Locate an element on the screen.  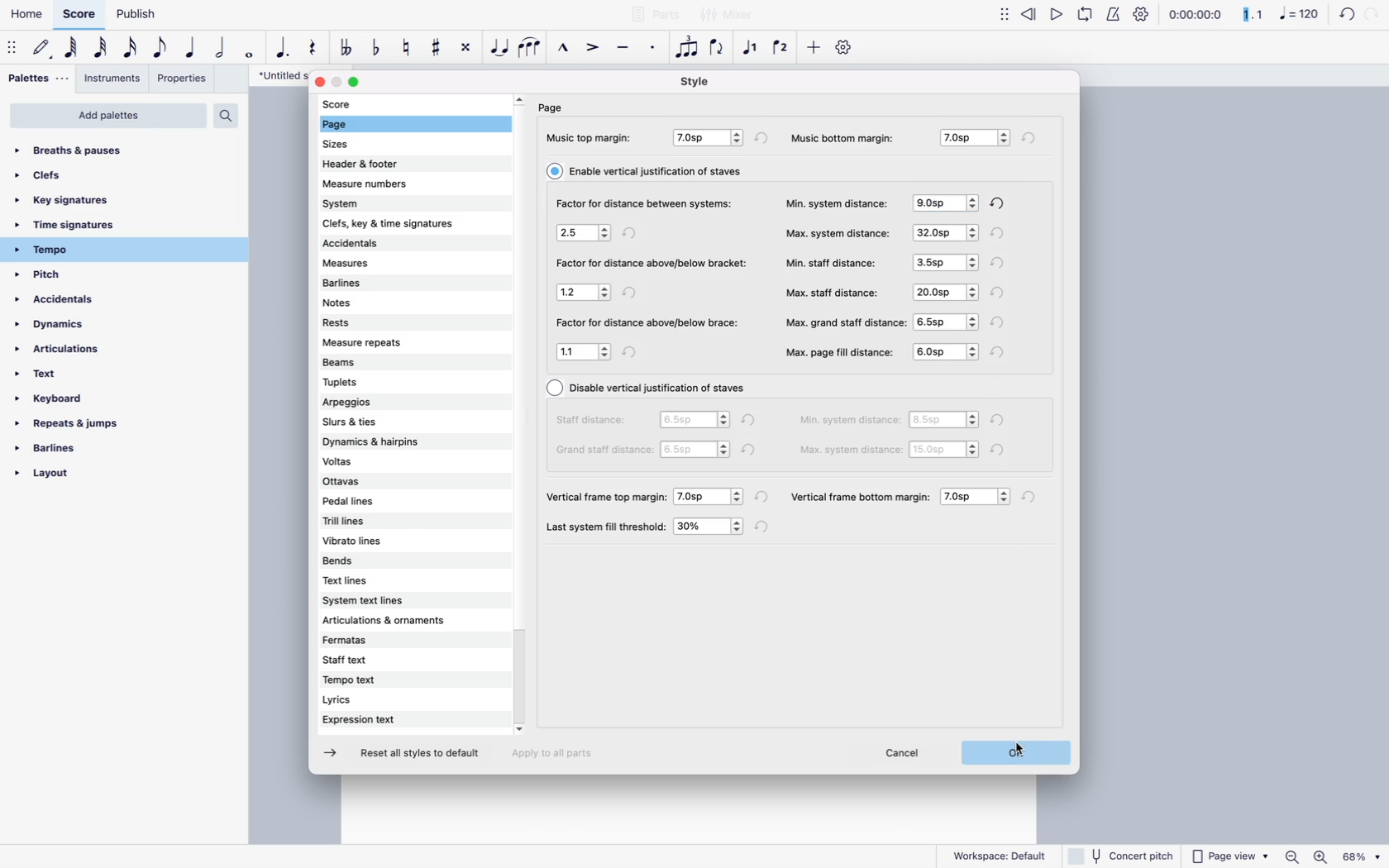
staff text is located at coordinates (383, 661).